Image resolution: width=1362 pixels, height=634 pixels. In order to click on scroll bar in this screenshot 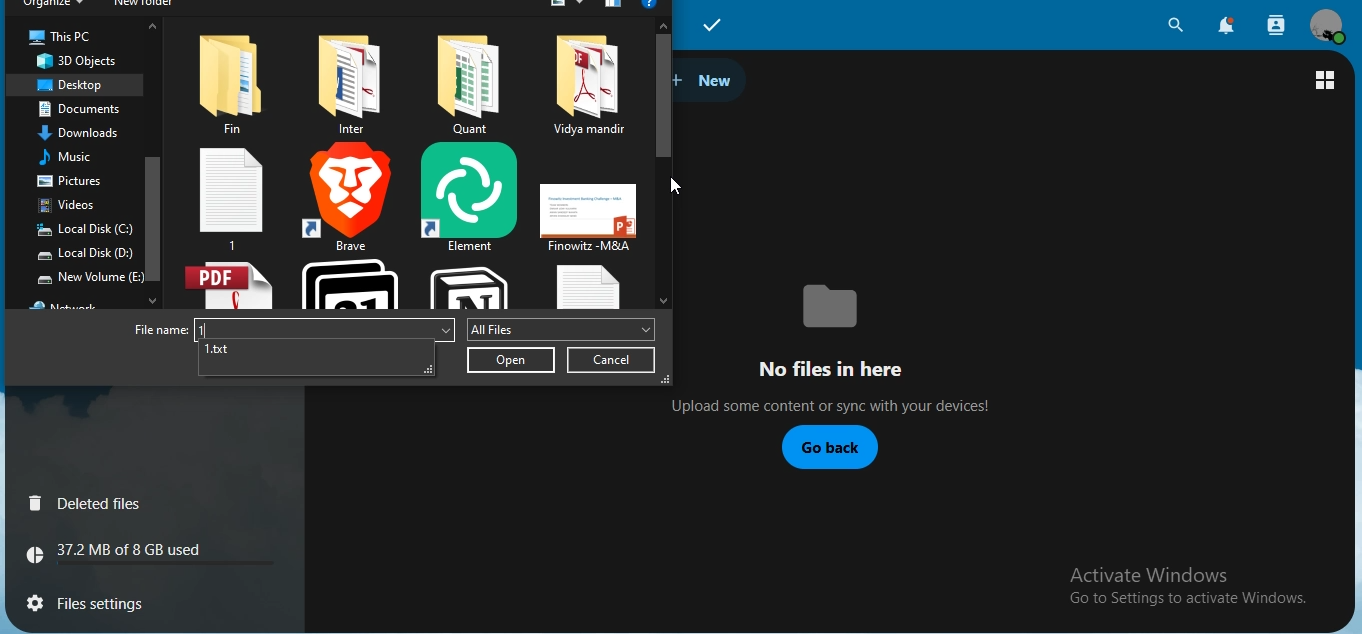, I will do `click(661, 96)`.